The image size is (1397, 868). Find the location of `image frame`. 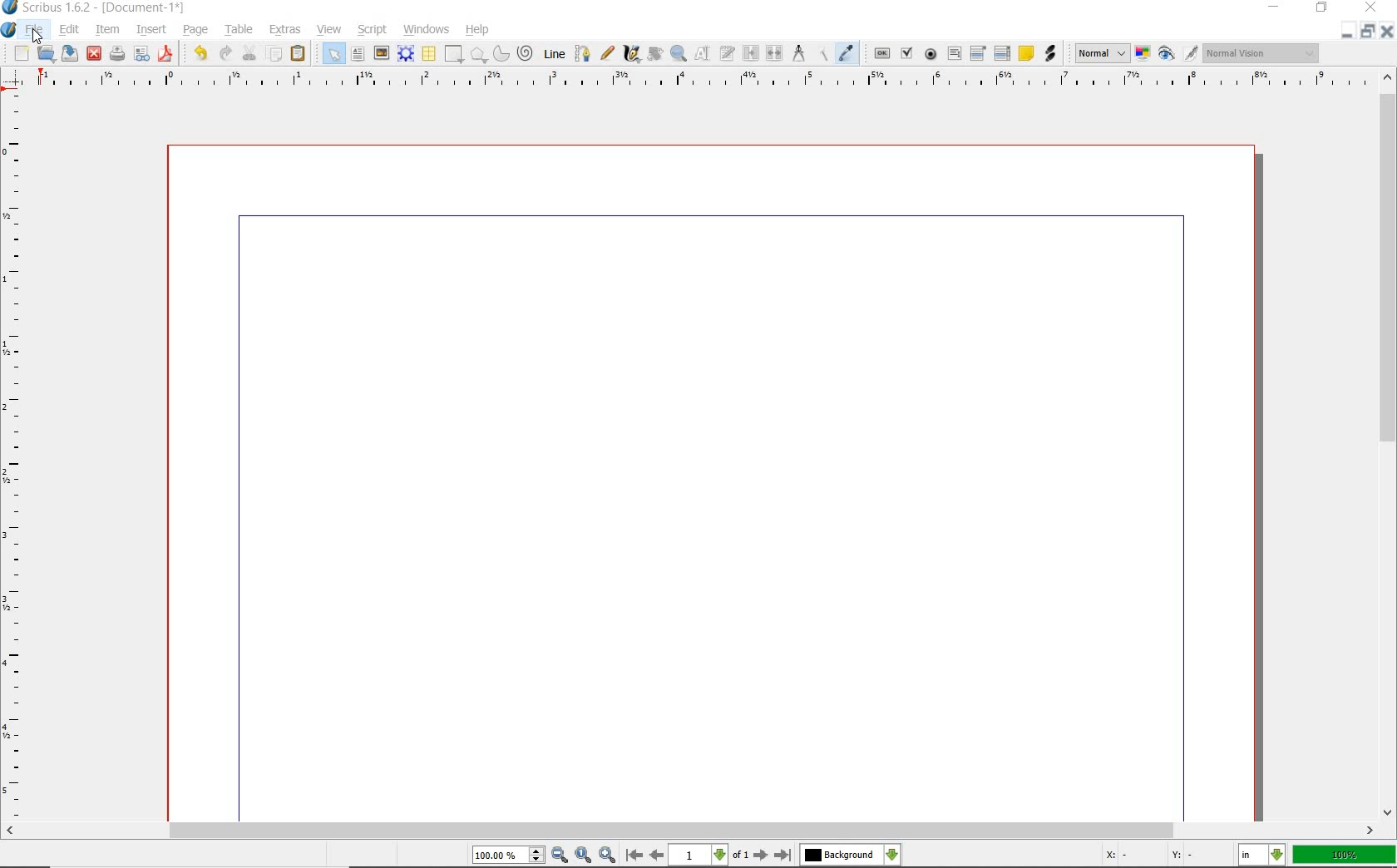

image frame is located at coordinates (382, 55).